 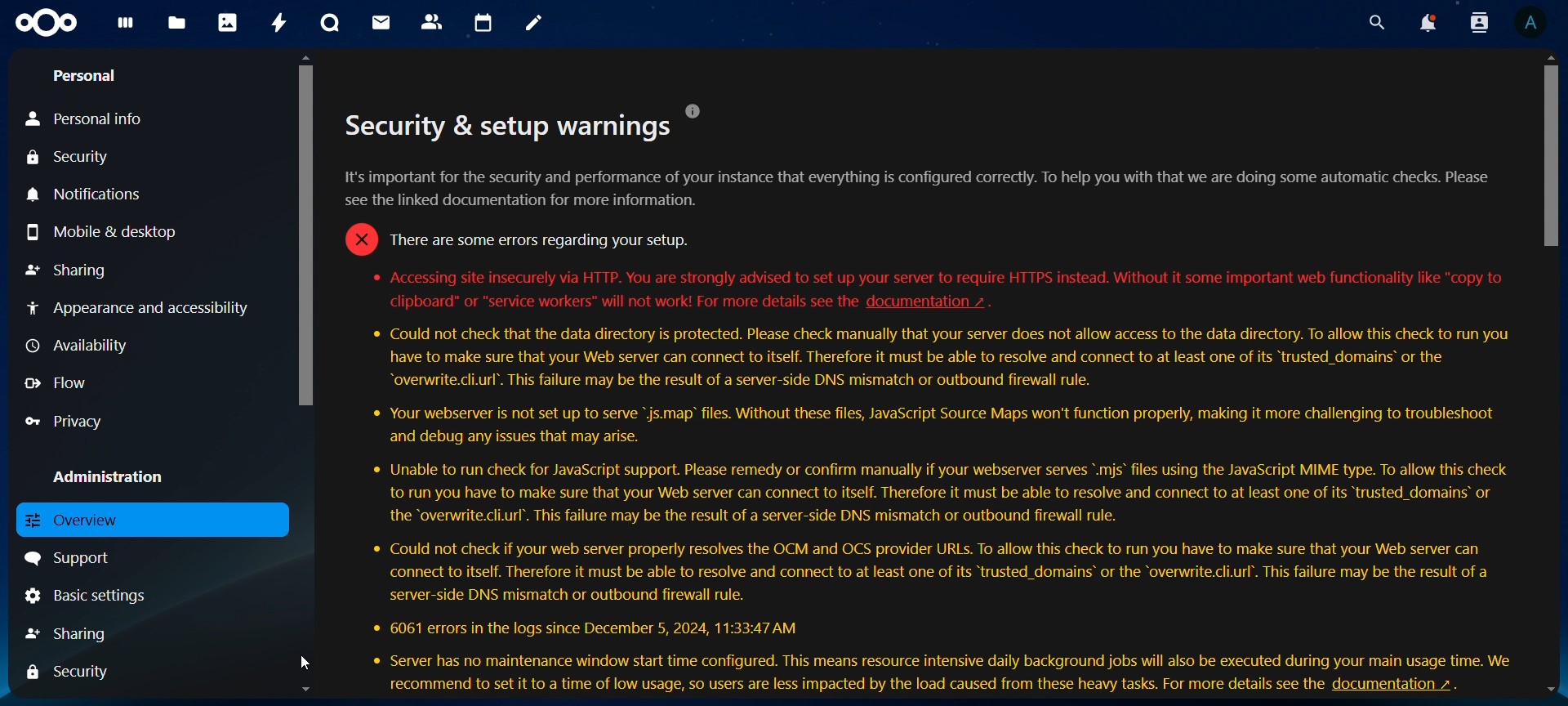 What do you see at coordinates (1377, 20) in the screenshot?
I see `search` at bounding box center [1377, 20].